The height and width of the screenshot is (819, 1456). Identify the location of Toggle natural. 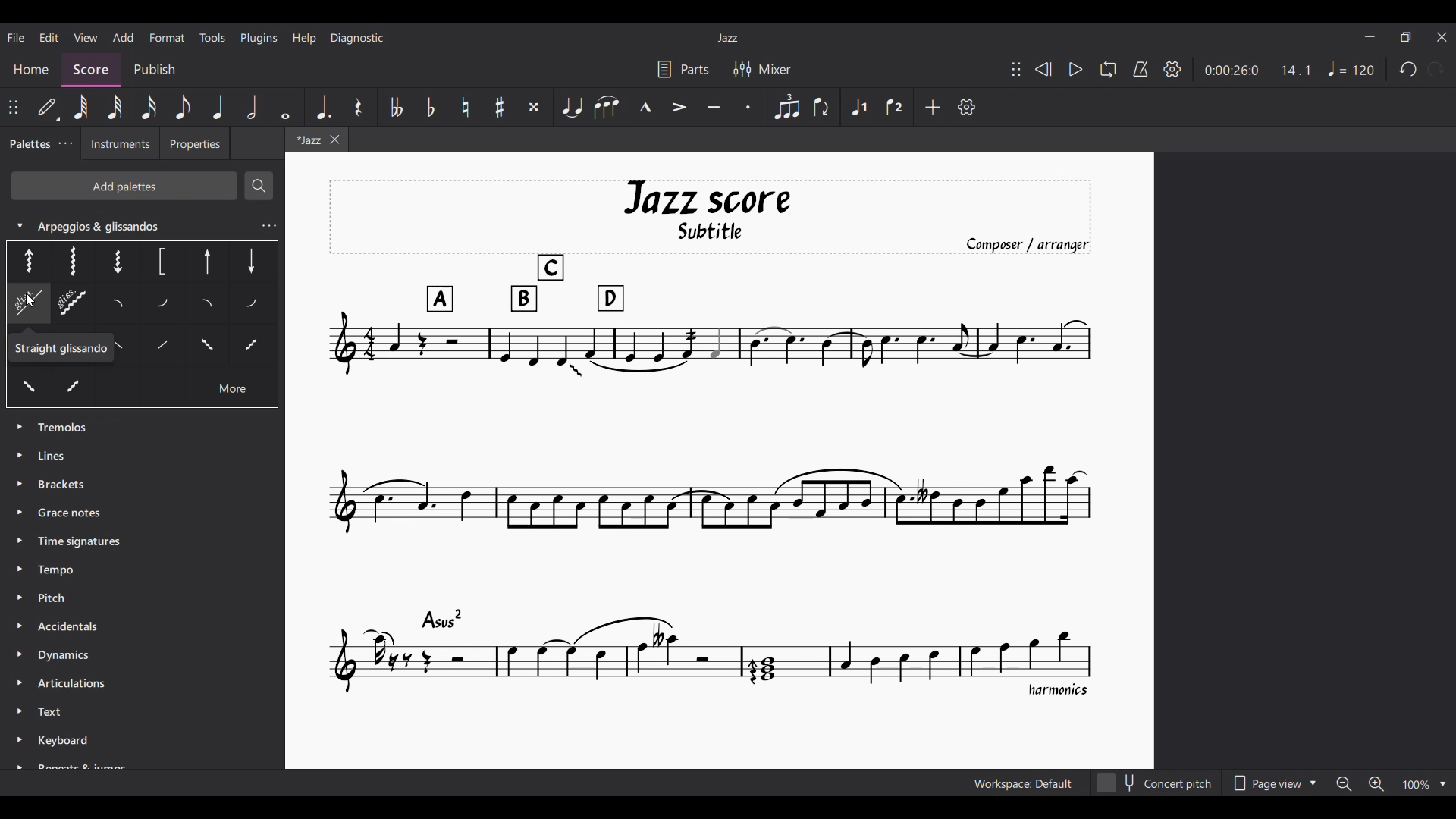
(466, 107).